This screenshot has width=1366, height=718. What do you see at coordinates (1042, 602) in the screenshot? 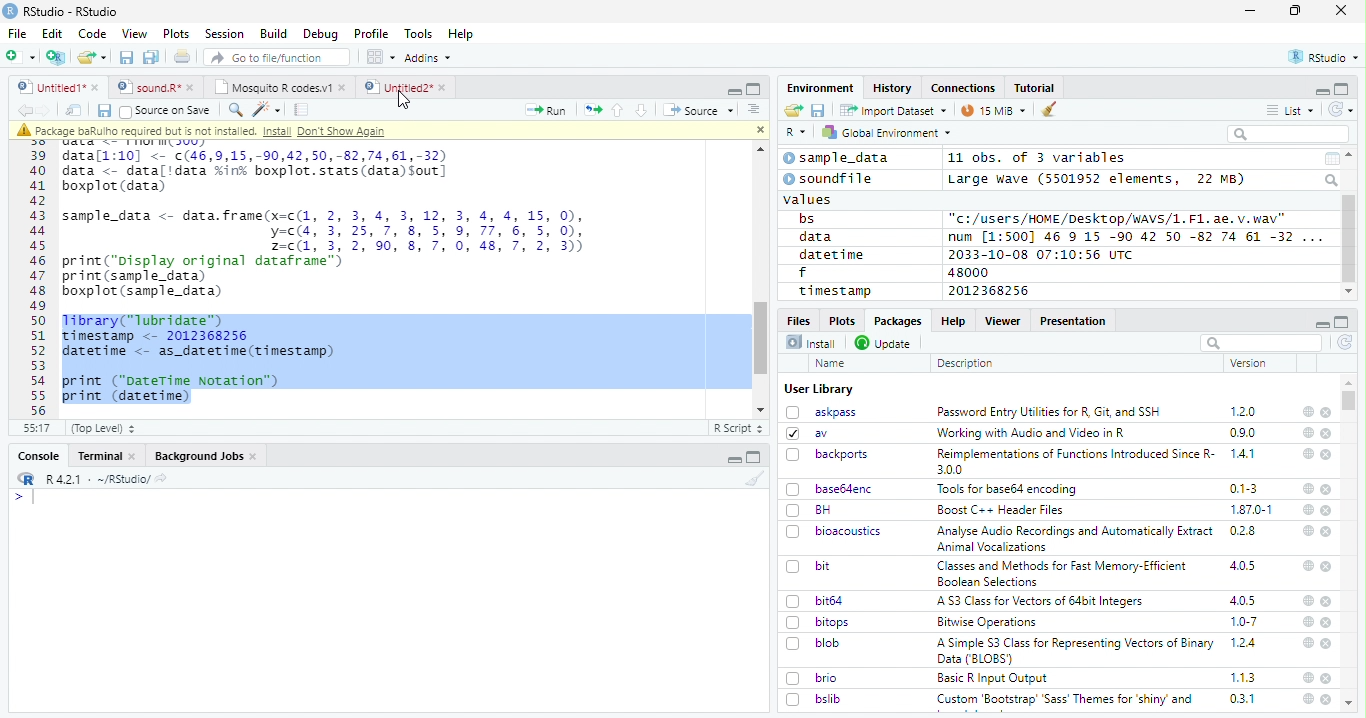
I see `A S3 Class for Vectors of 64bit Integers` at bounding box center [1042, 602].